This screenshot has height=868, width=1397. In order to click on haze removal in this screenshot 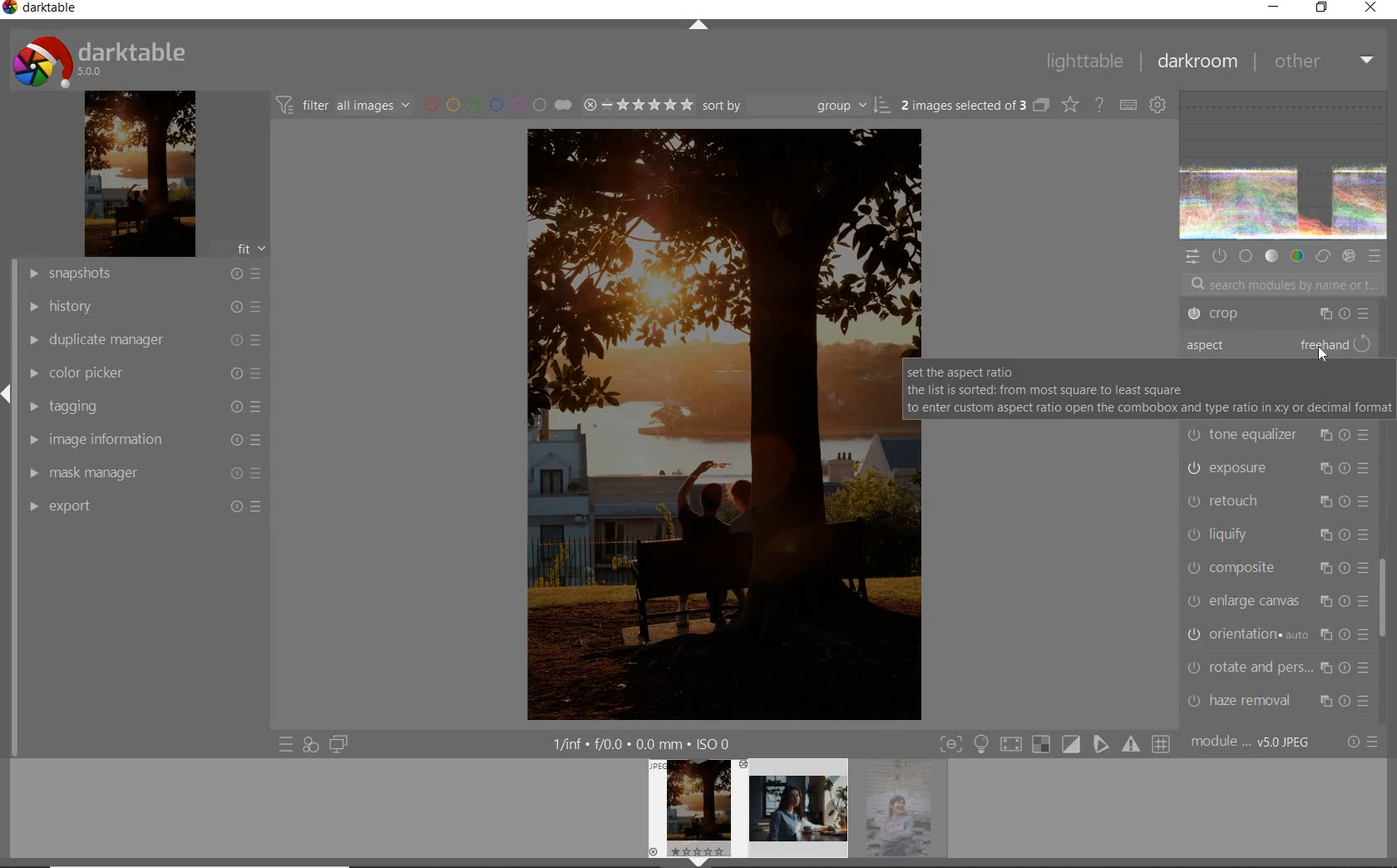, I will do `click(1279, 703)`.